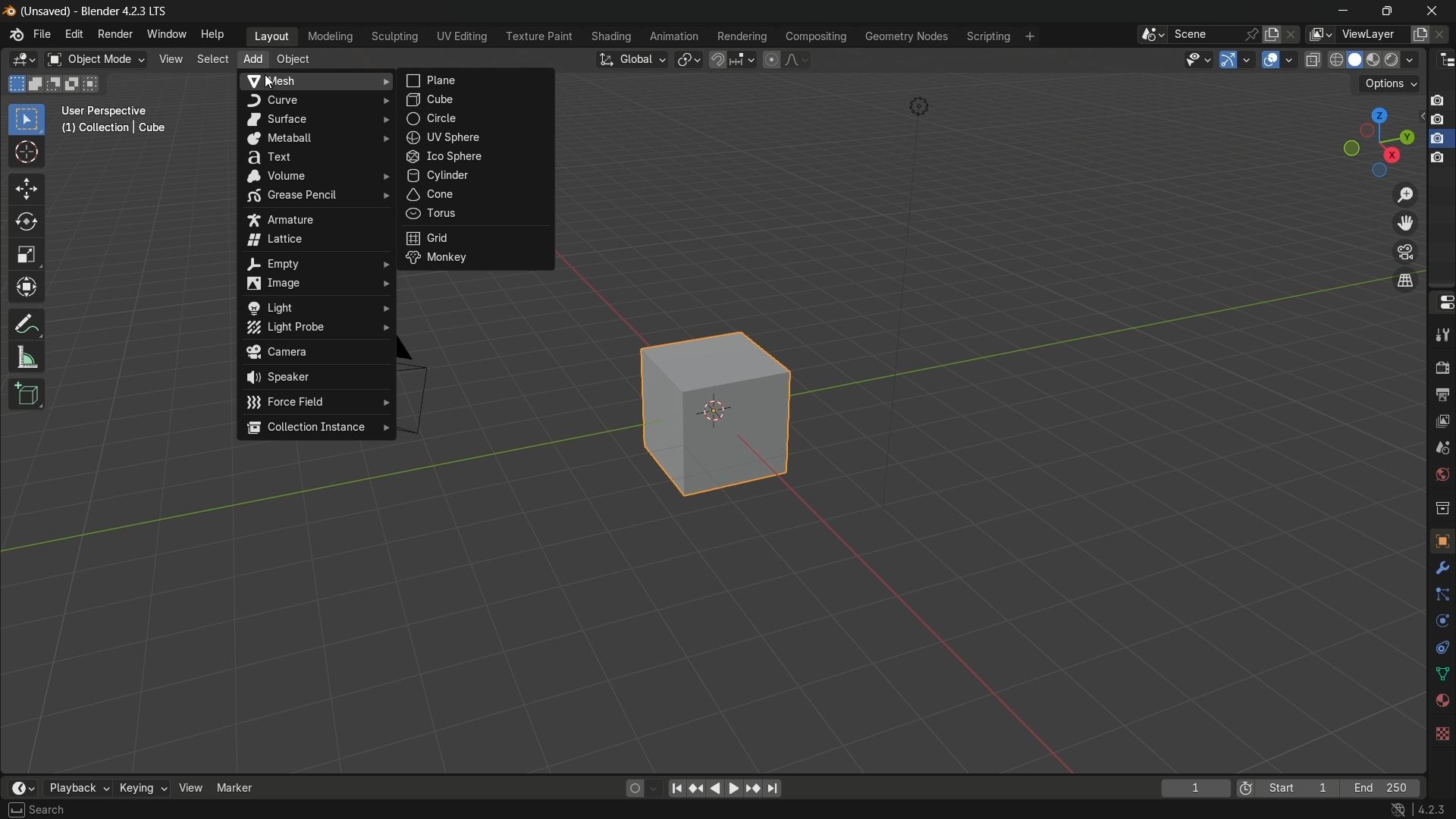  Describe the element at coordinates (988, 37) in the screenshot. I see `scripting` at that location.